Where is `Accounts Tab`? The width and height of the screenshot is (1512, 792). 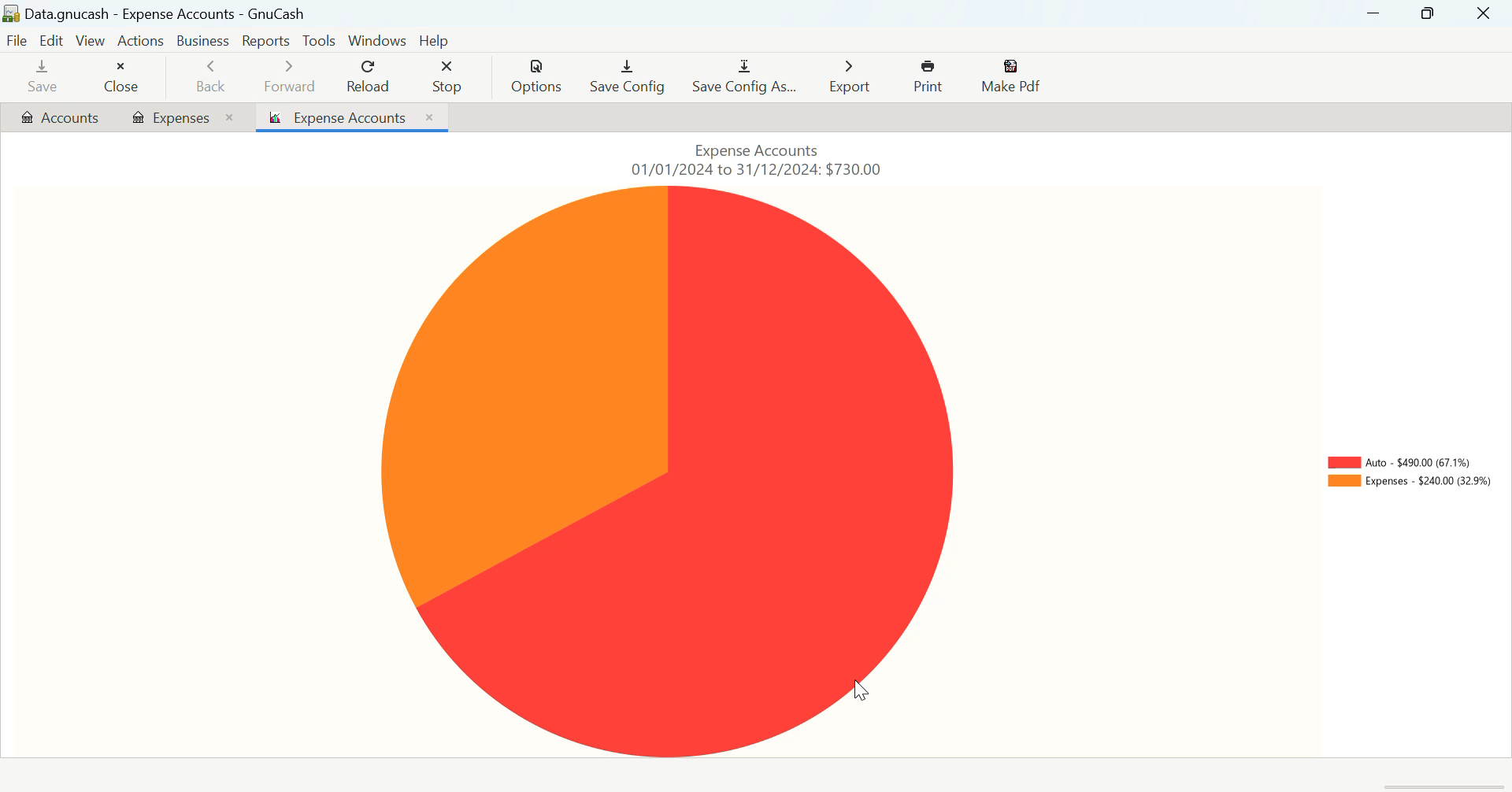
Accounts Tab is located at coordinates (60, 119).